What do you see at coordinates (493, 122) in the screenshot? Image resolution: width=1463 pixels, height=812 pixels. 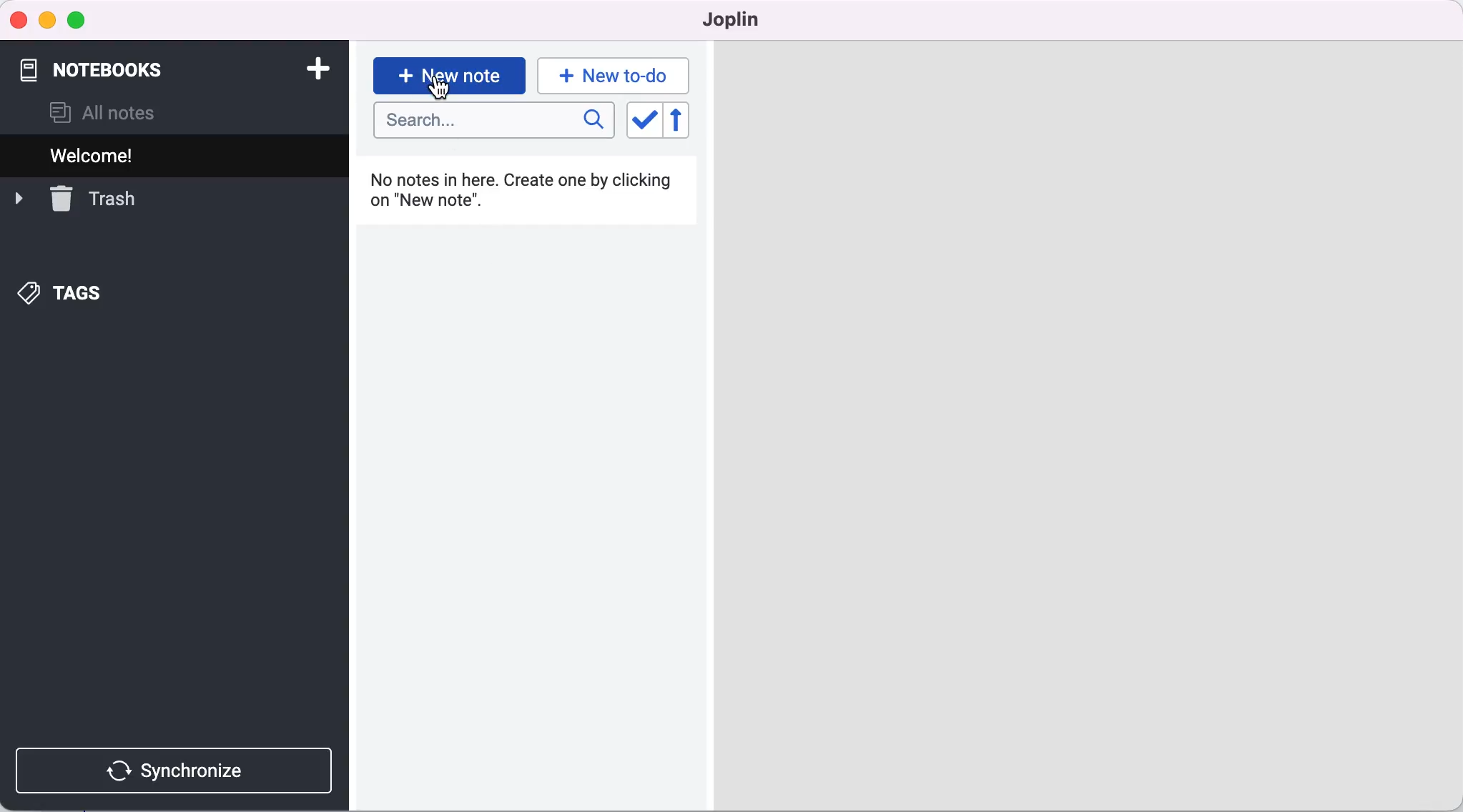 I see `search` at bounding box center [493, 122].